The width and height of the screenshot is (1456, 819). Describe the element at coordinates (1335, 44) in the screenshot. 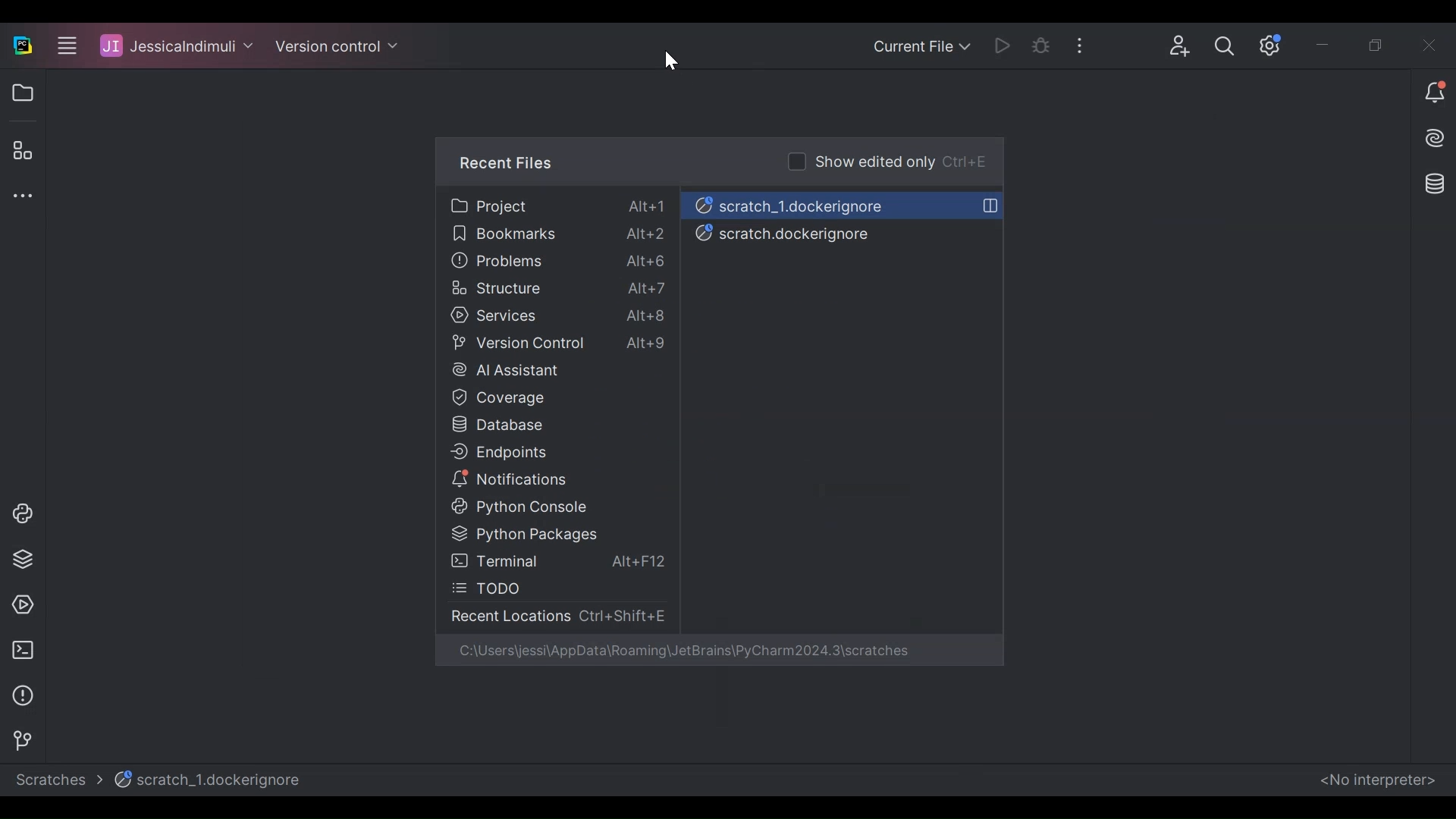

I see `Minimize` at that location.